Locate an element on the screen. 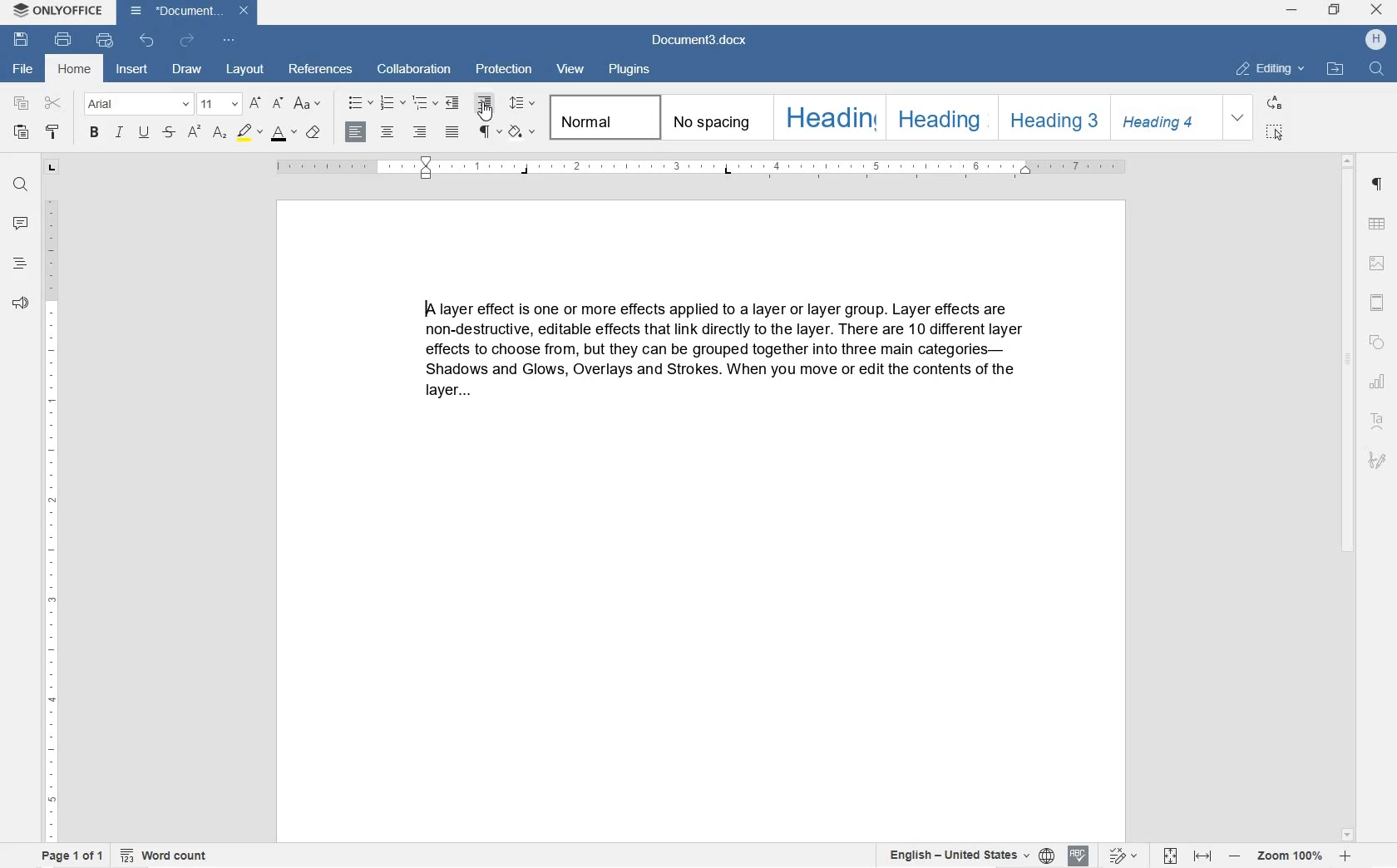 The image size is (1397, 868). SIGNATURE is located at coordinates (1379, 463).